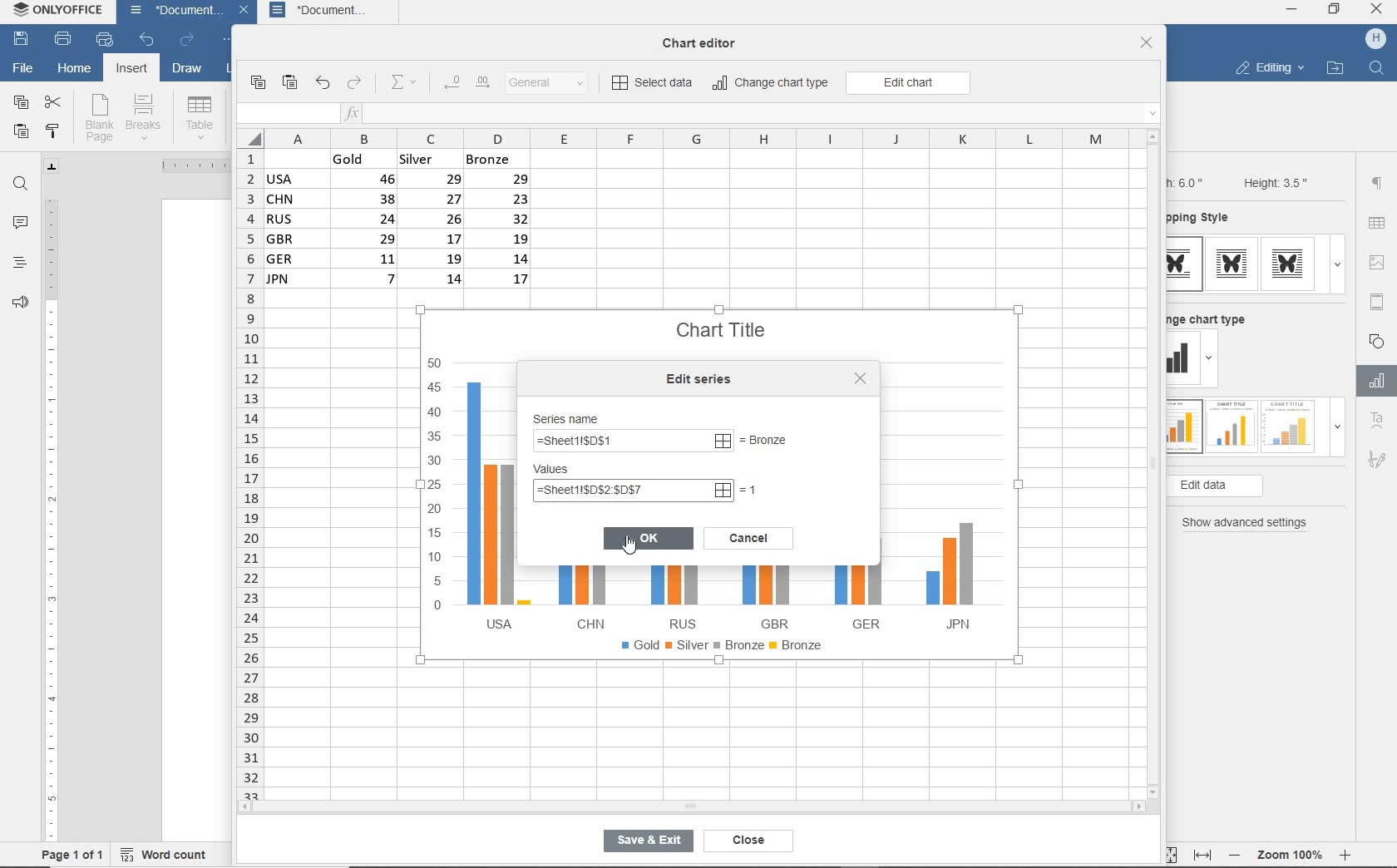 The image size is (1397, 868). I want to click on series name, so click(571, 417).